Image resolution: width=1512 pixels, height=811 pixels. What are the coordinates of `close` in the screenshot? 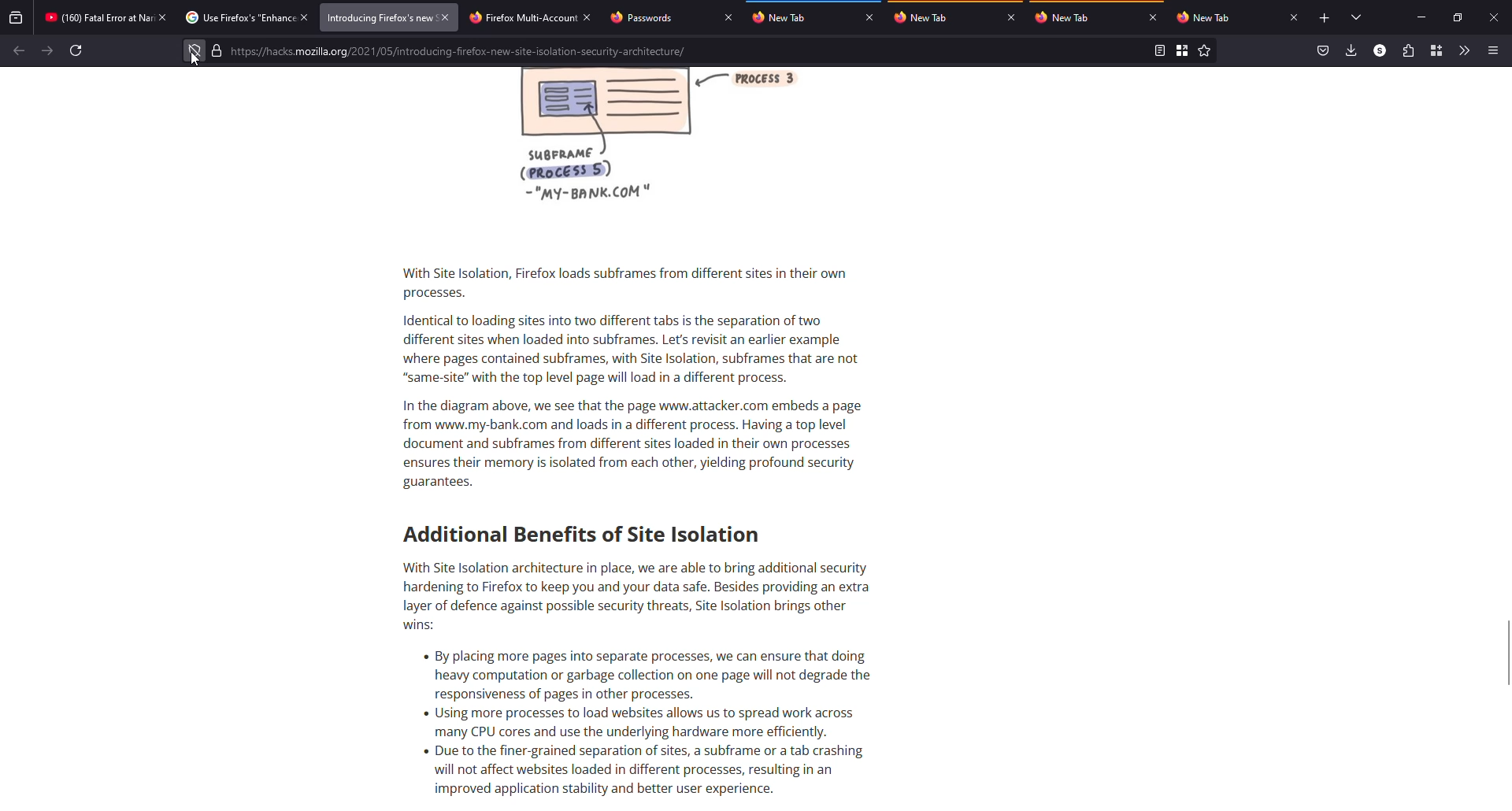 It's located at (587, 19).